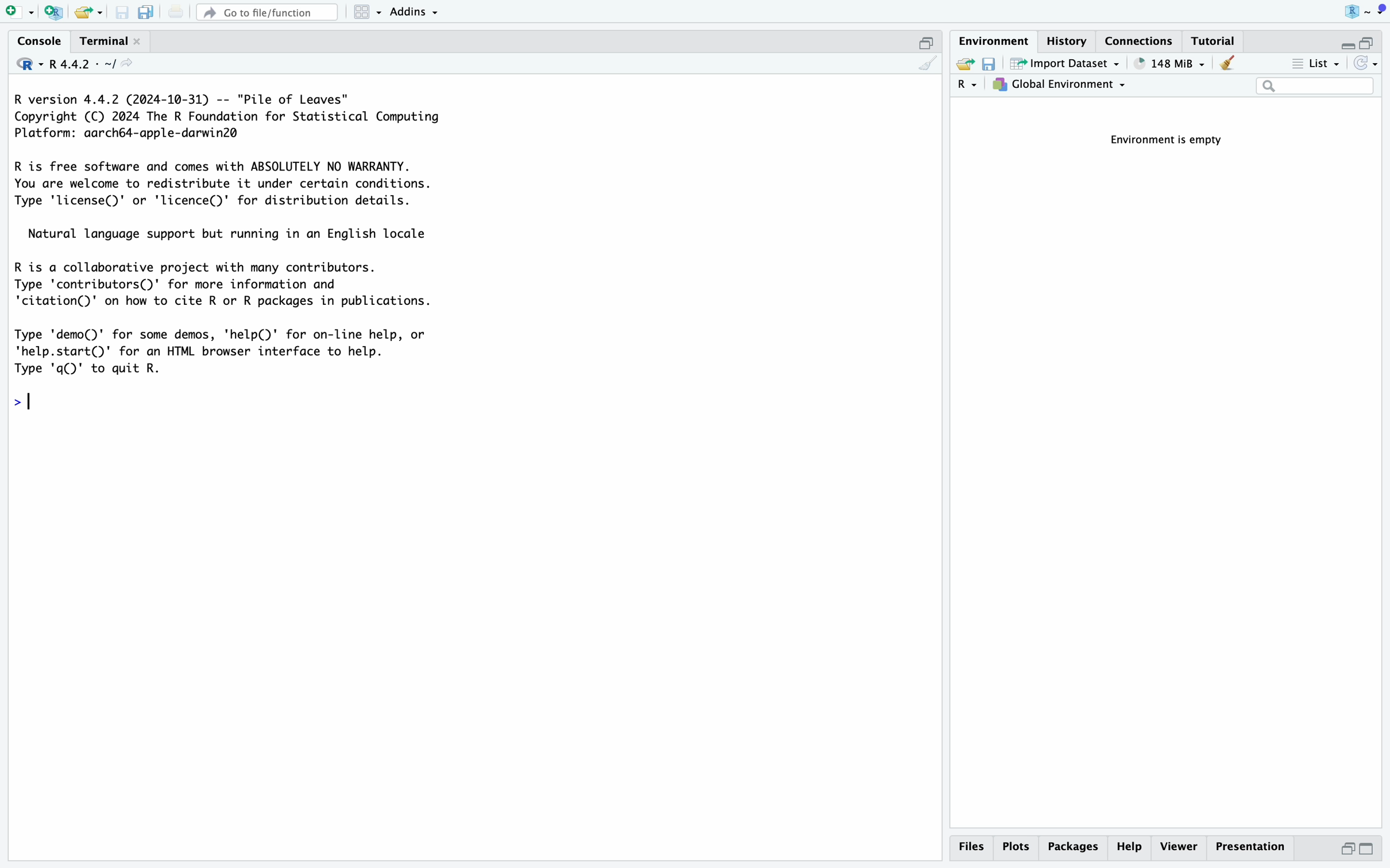  Describe the element at coordinates (52, 11) in the screenshot. I see `create a project` at that location.